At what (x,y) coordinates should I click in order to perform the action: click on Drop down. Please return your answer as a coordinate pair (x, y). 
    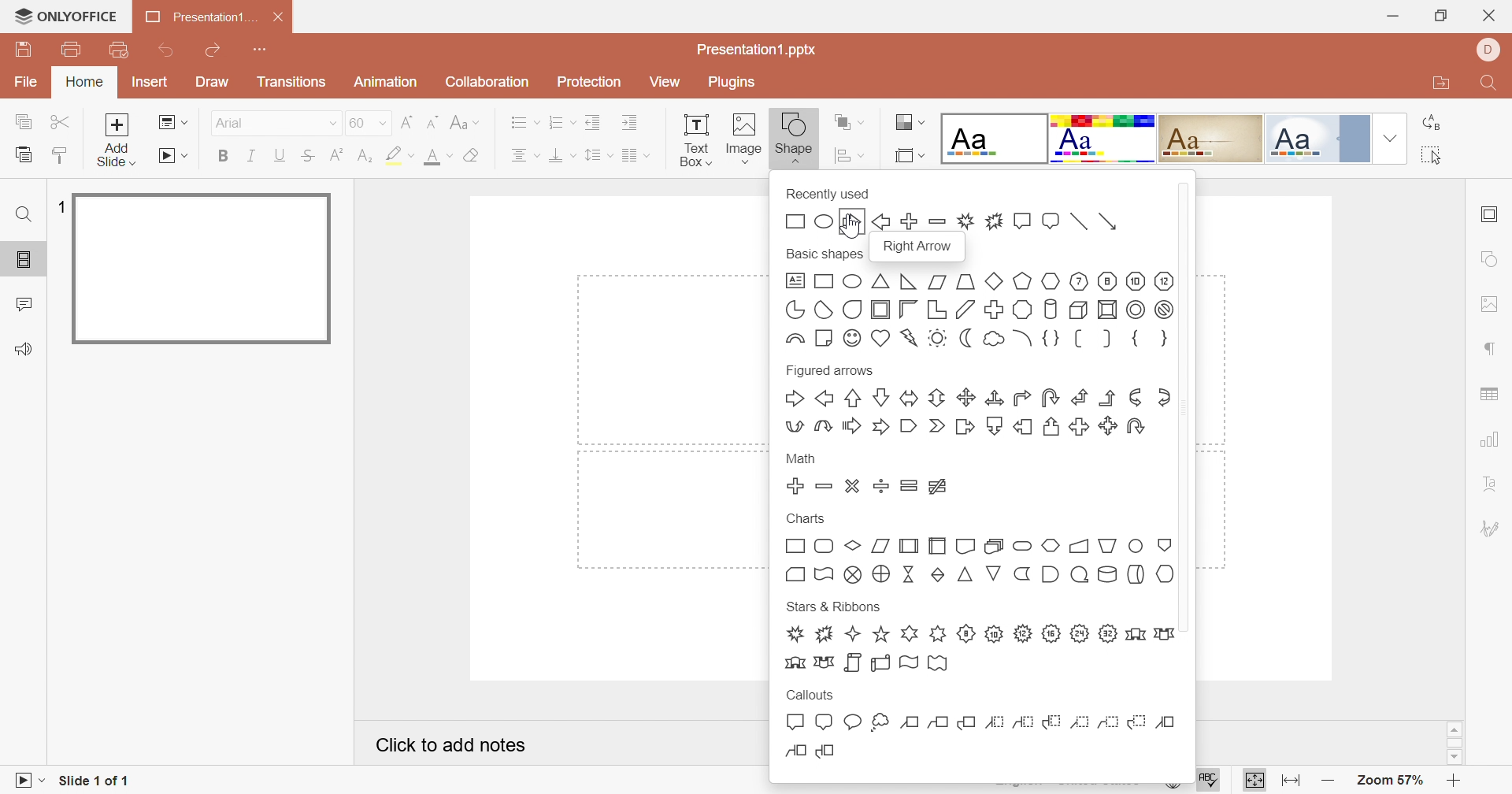
    Looking at the image, I should click on (1392, 138).